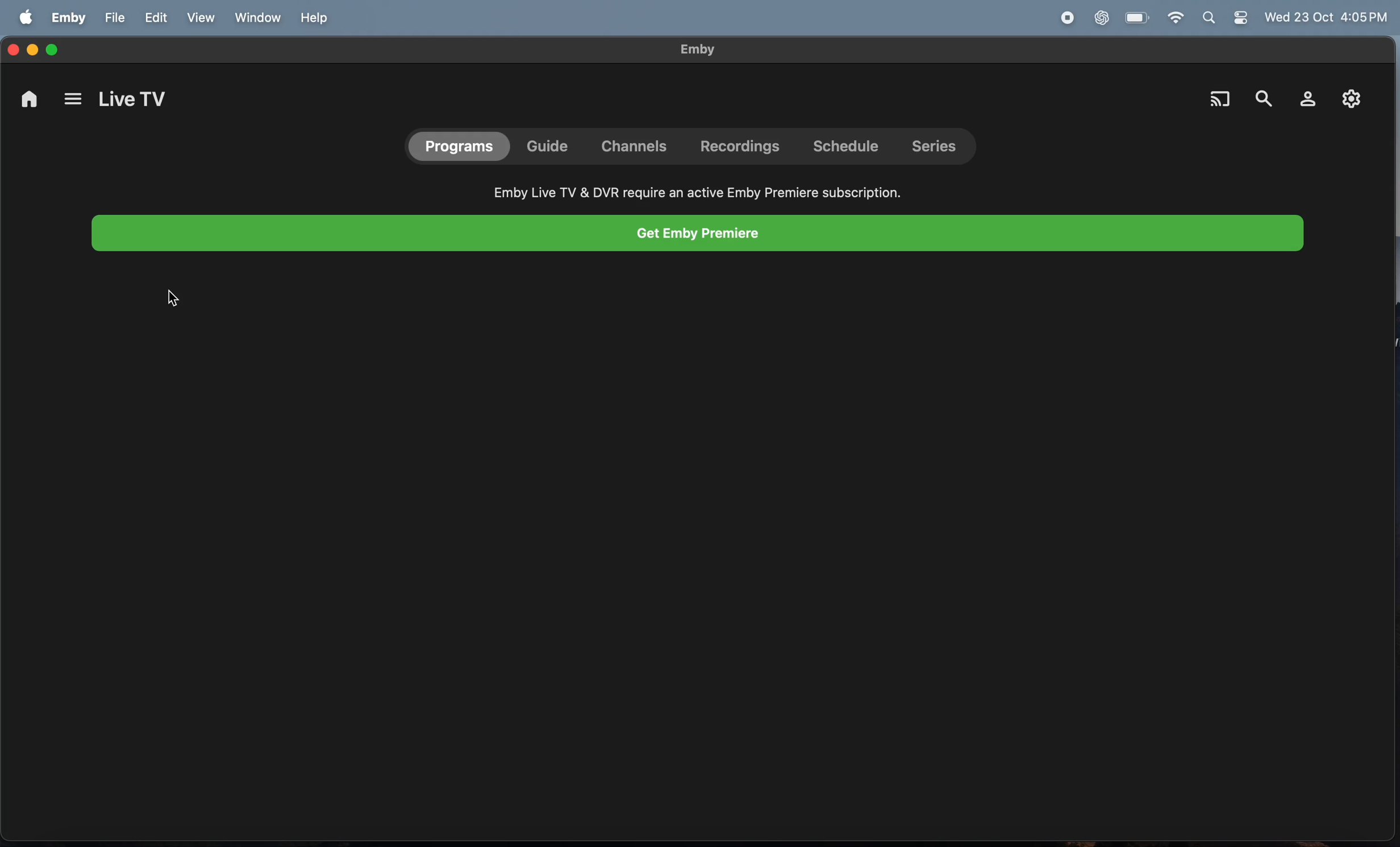 The height and width of the screenshot is (847, 1400). Describe the element at coordinates (1229, 19) in the screenshot. I see `apple widgets` at that location.